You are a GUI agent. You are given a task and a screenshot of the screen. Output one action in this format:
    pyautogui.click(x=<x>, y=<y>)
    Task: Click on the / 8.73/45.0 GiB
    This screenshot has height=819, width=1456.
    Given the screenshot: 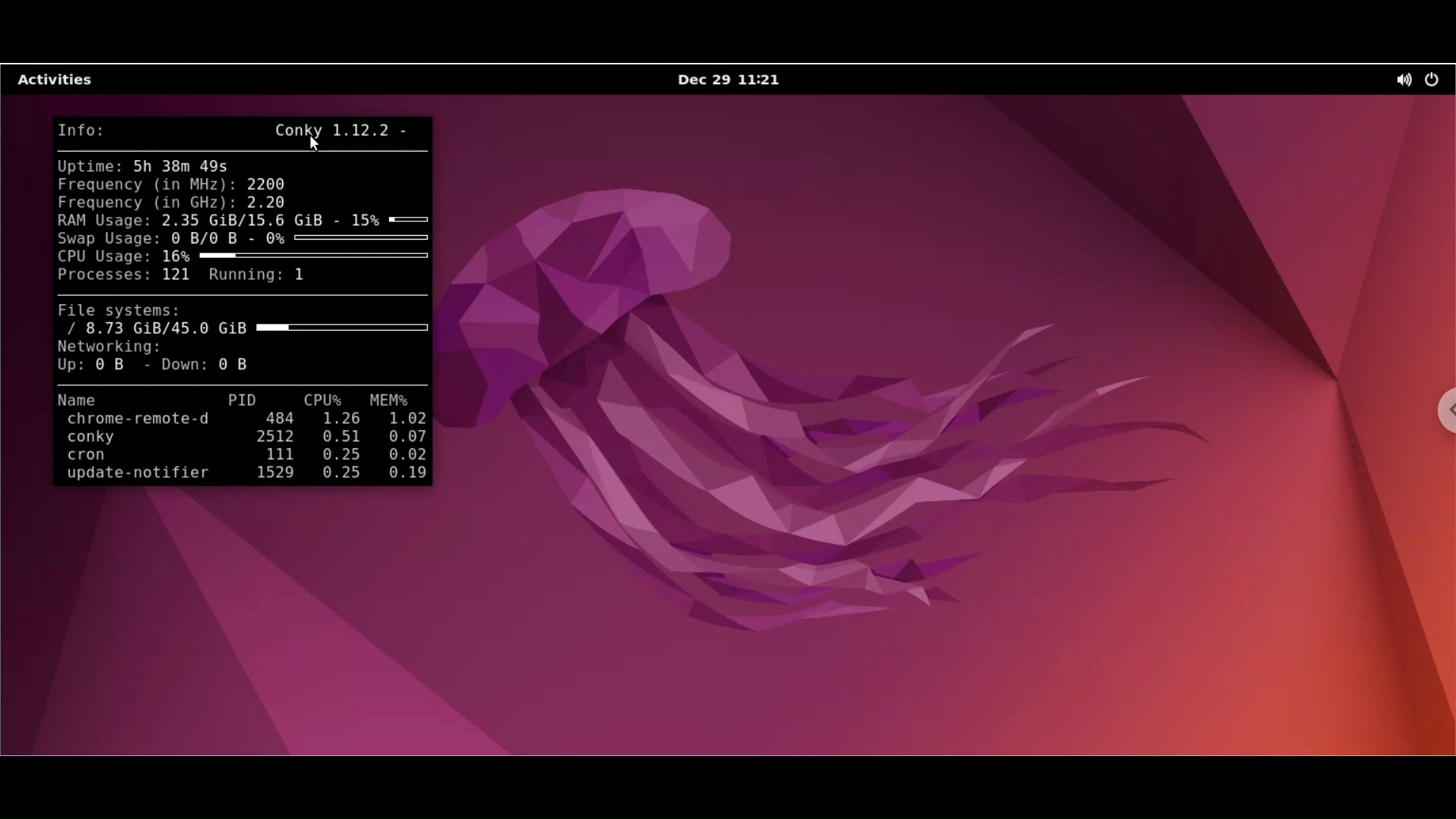 What is the action you would take?
    pyautogui.click(x=248, y=329)
    